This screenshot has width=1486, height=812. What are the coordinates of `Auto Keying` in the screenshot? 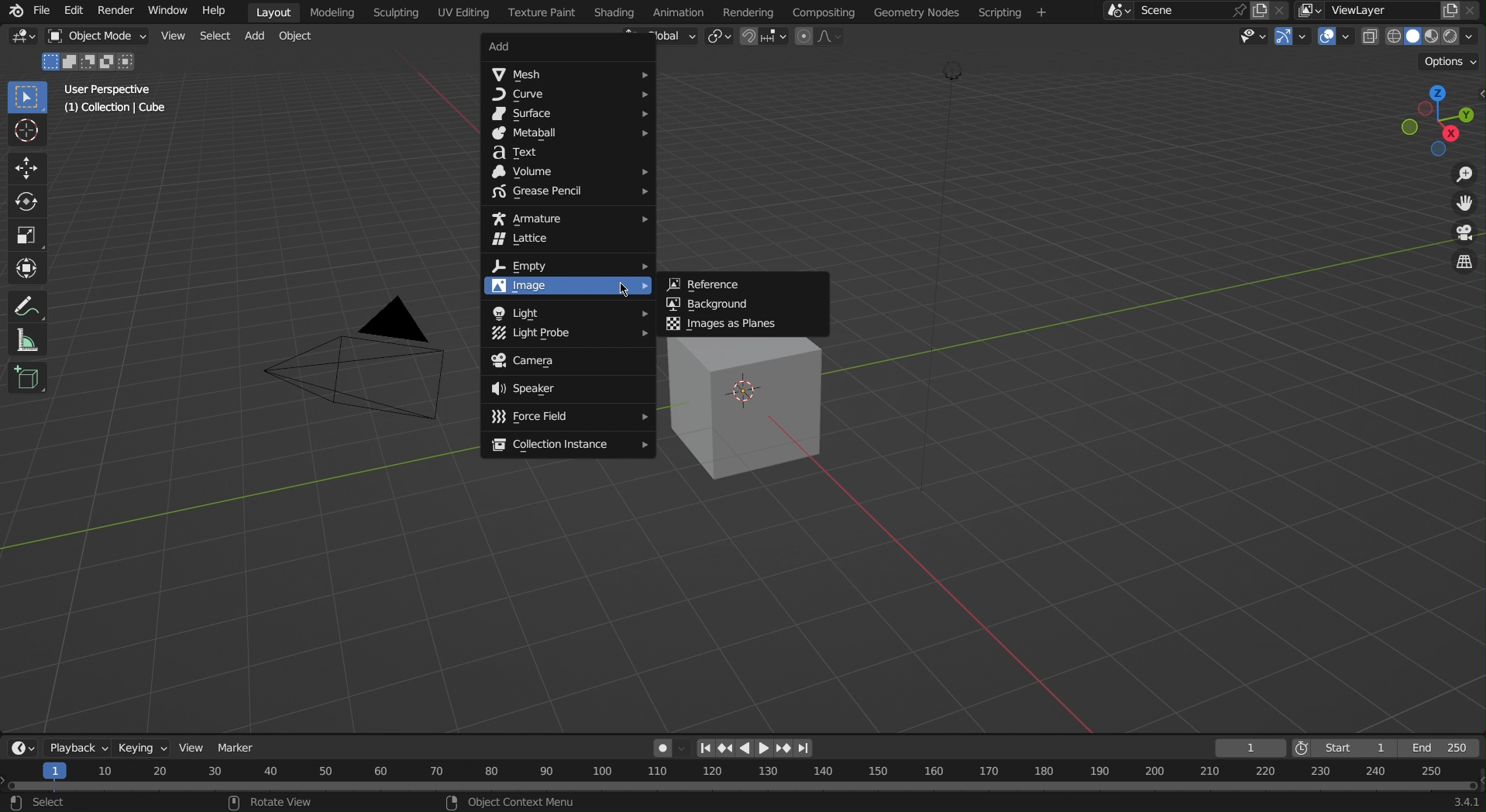 It's located at (665, 746).